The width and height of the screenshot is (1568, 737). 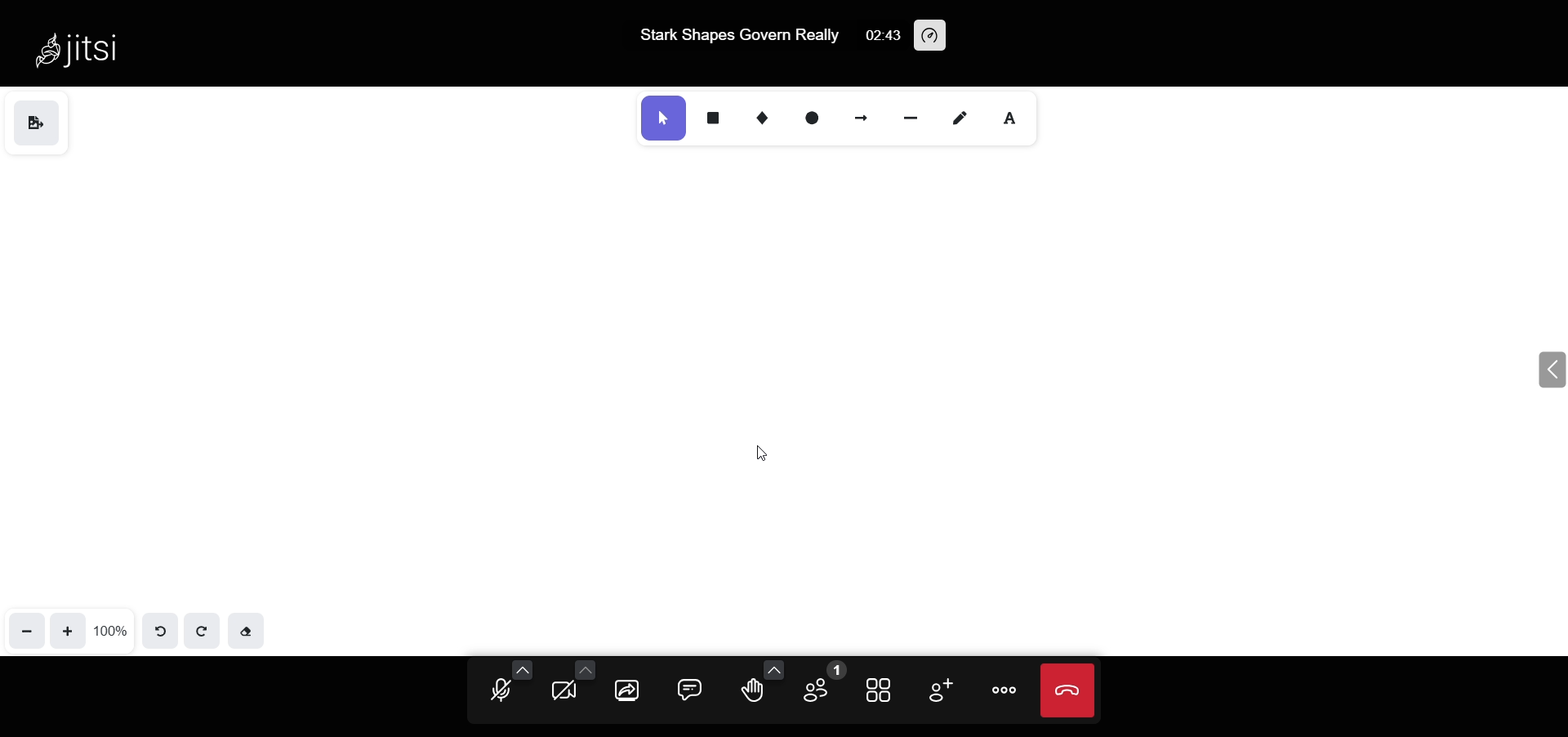 What do you see at coordinates (82, 42) in the screenshot?
I see `Jitsi` at bounding box center [82, 42].